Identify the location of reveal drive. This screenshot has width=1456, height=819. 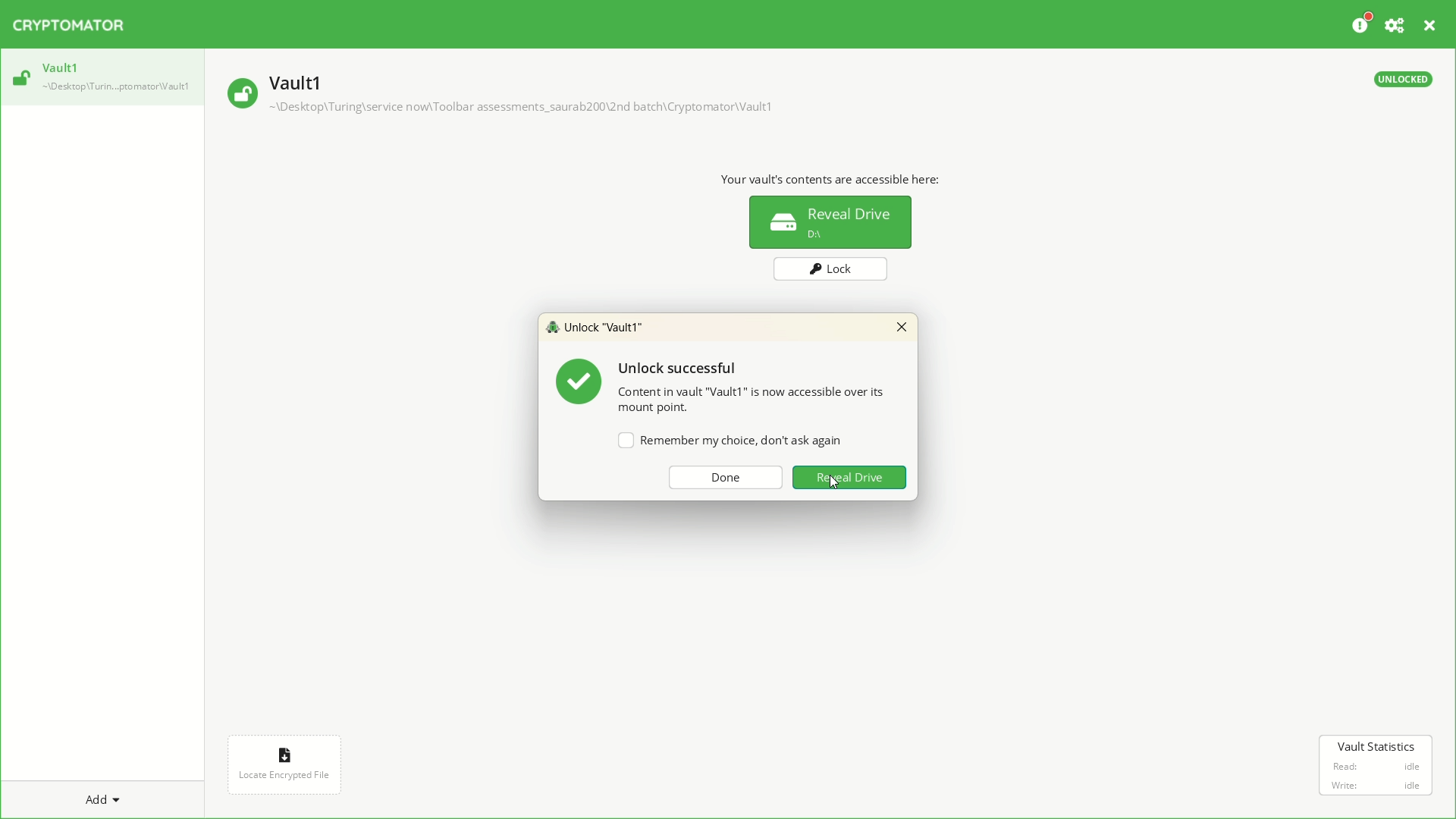
(830, 224).